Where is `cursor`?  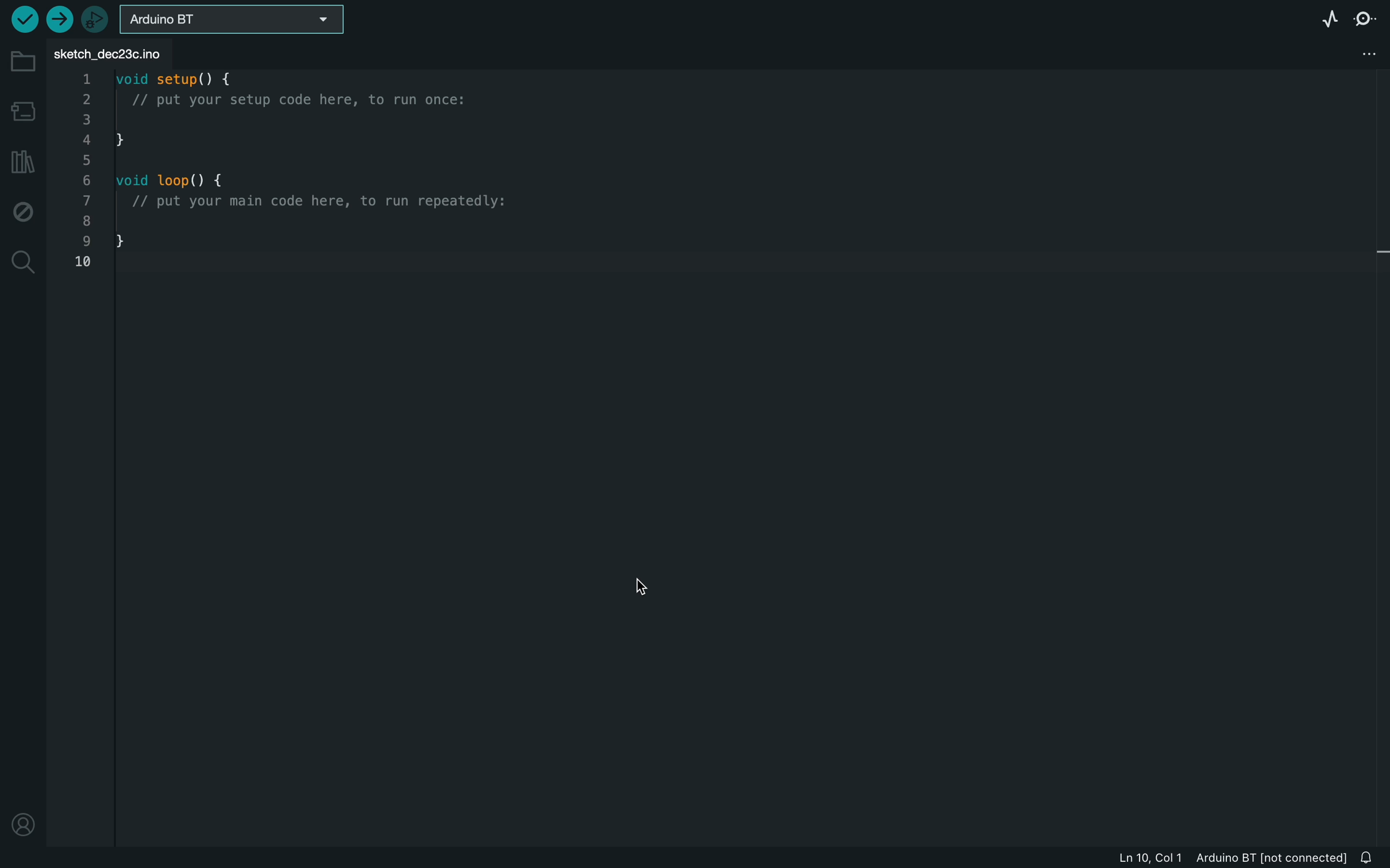 cursor is located at coordinates (637, 588).